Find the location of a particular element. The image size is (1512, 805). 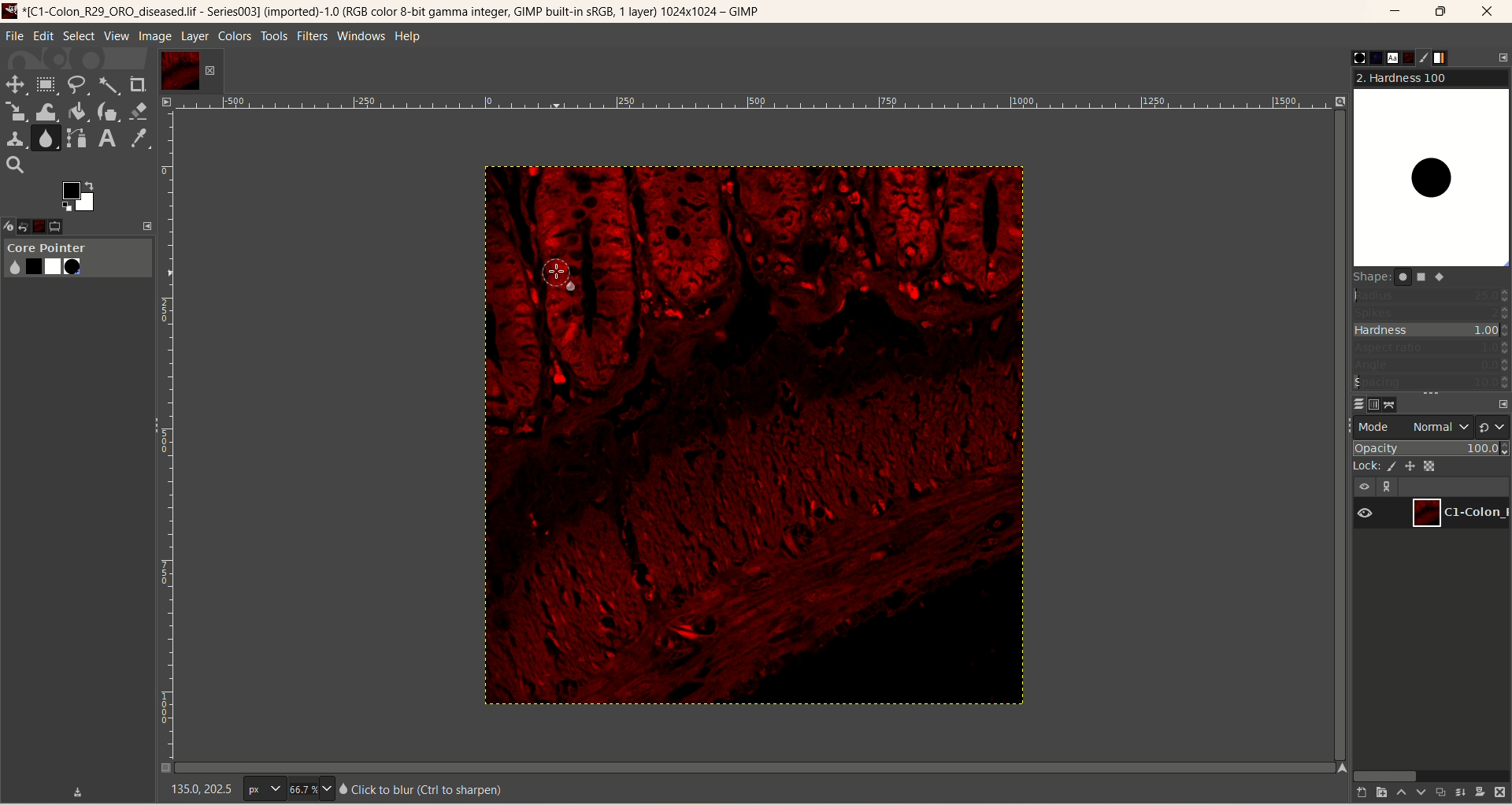

mode is located at coordinates (1376, 426).